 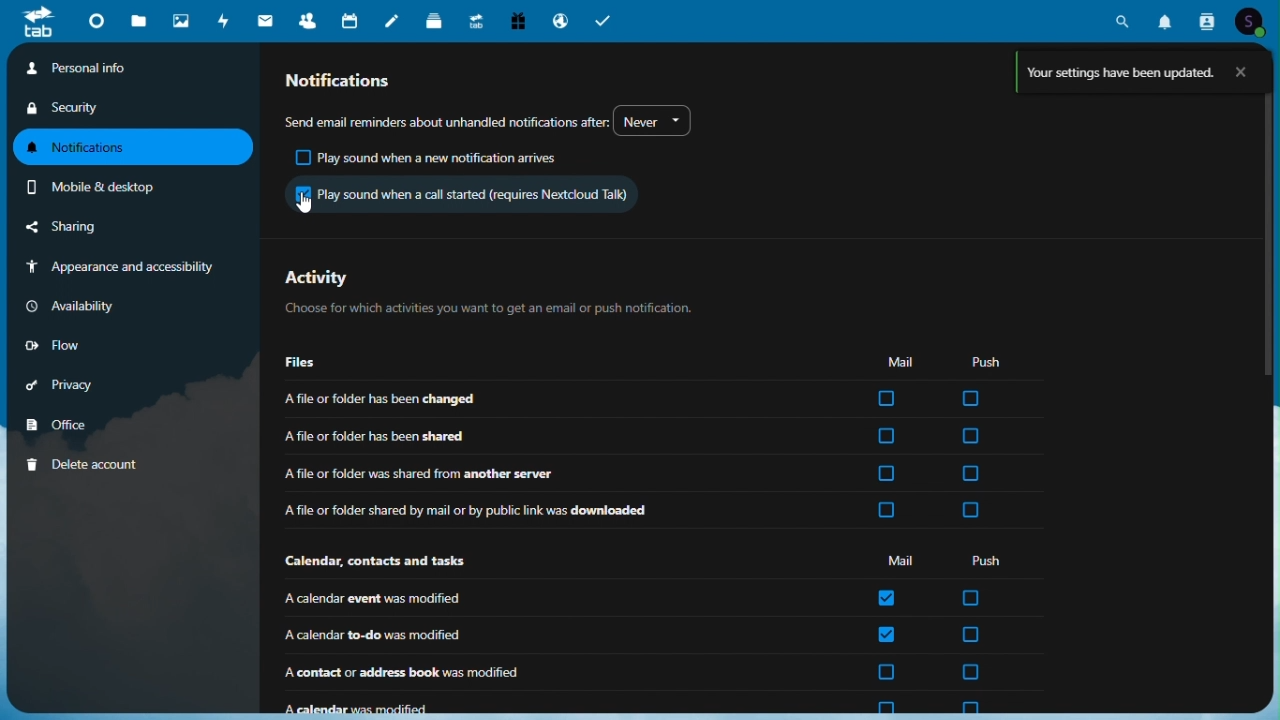 What do you see at coordinates (887, 635) in the screenshot?
I see `check box` at bounding box center [887, 635].